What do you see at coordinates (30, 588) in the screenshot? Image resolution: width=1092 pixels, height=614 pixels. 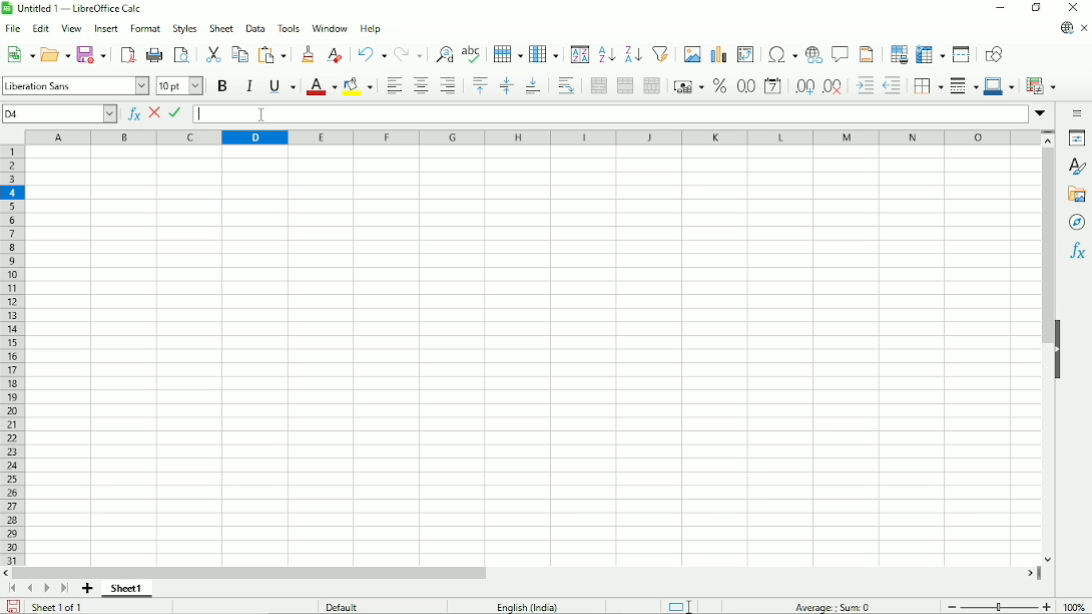 I see `Scroll to previous sheet` at bounding box center [30, 588].